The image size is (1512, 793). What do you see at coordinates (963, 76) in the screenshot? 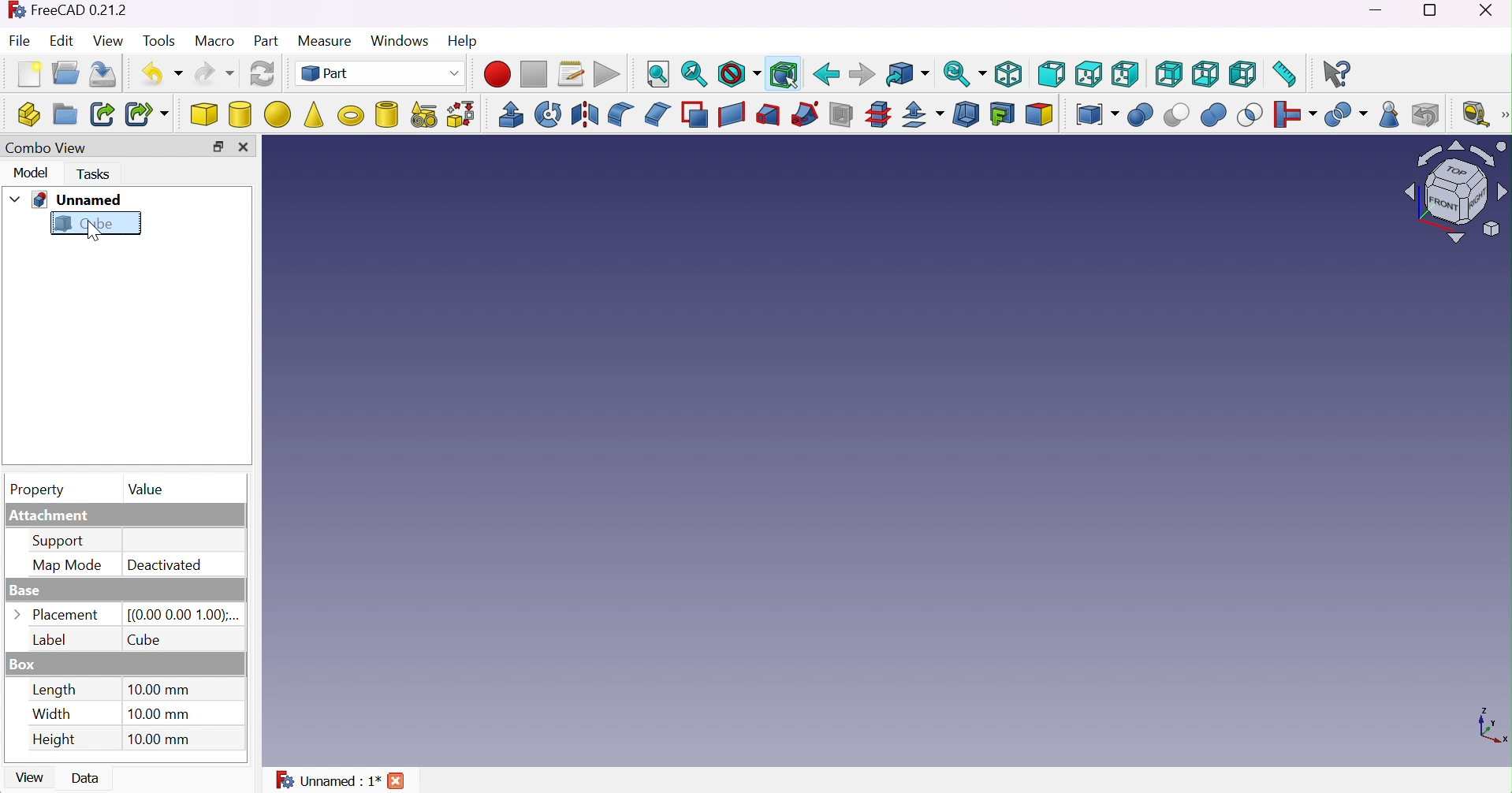
I see `Sync view` at bounding box center [963, 76].